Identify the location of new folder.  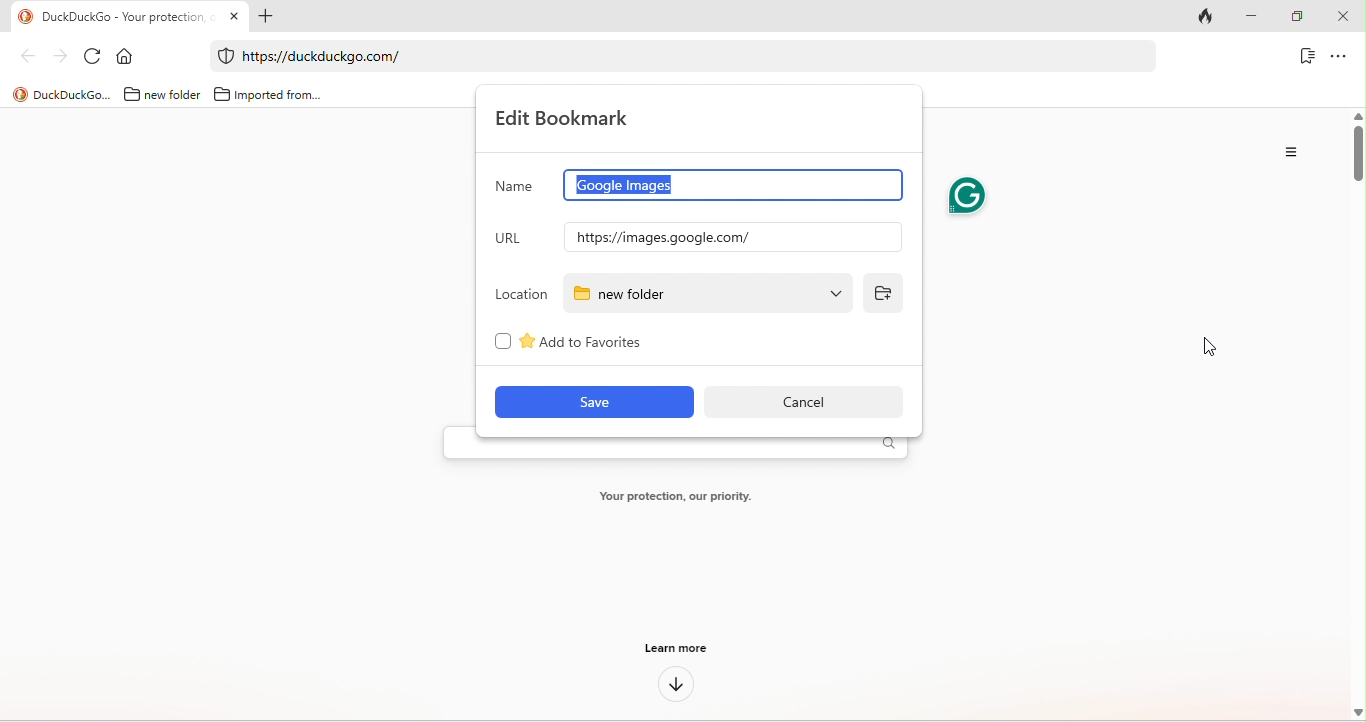
(159, 94).